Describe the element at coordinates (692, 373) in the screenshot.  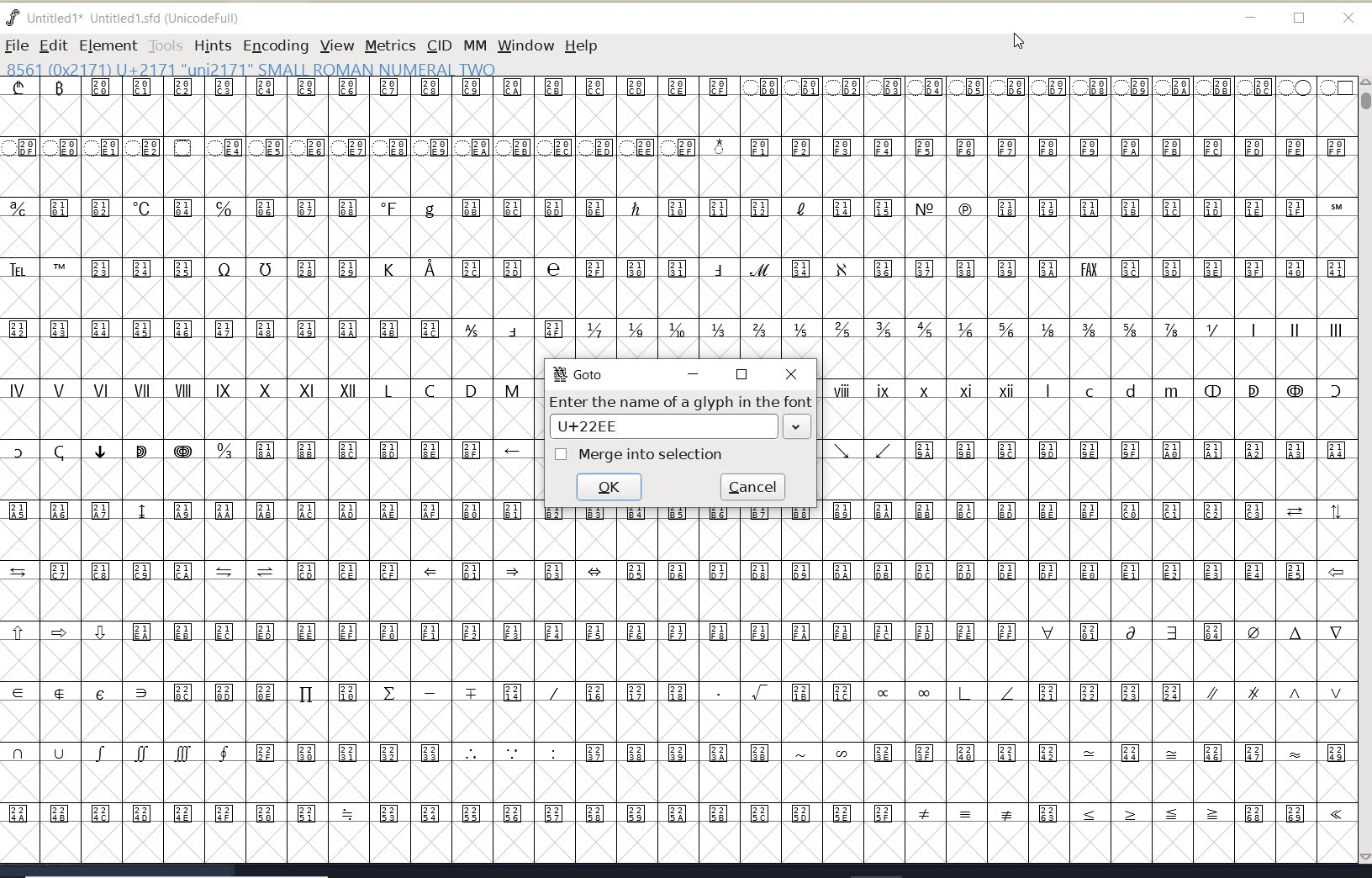
I see `MINIMIZE` at that location.